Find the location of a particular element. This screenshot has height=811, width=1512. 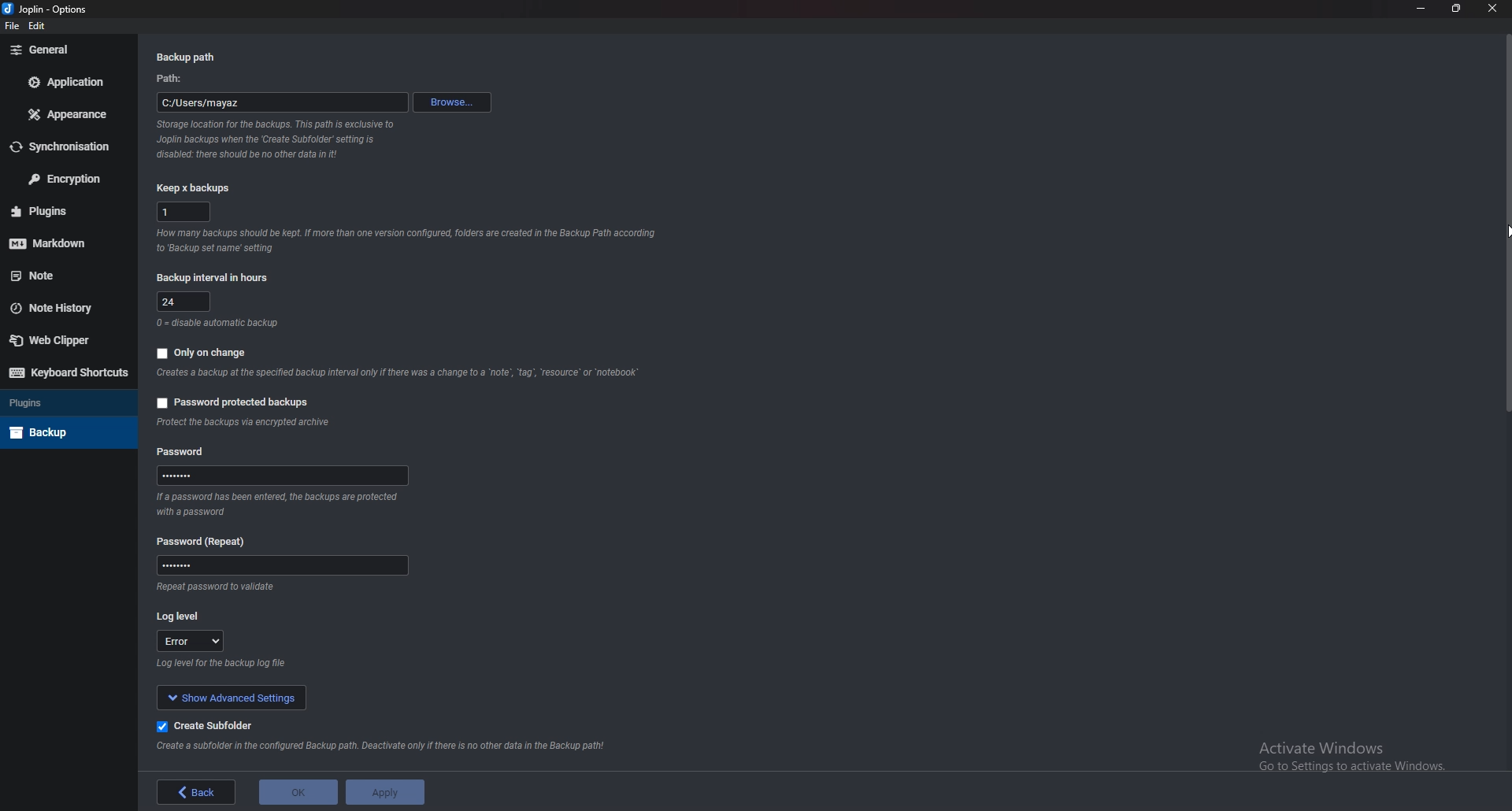

Resize is located at coordinates (1458, 9).